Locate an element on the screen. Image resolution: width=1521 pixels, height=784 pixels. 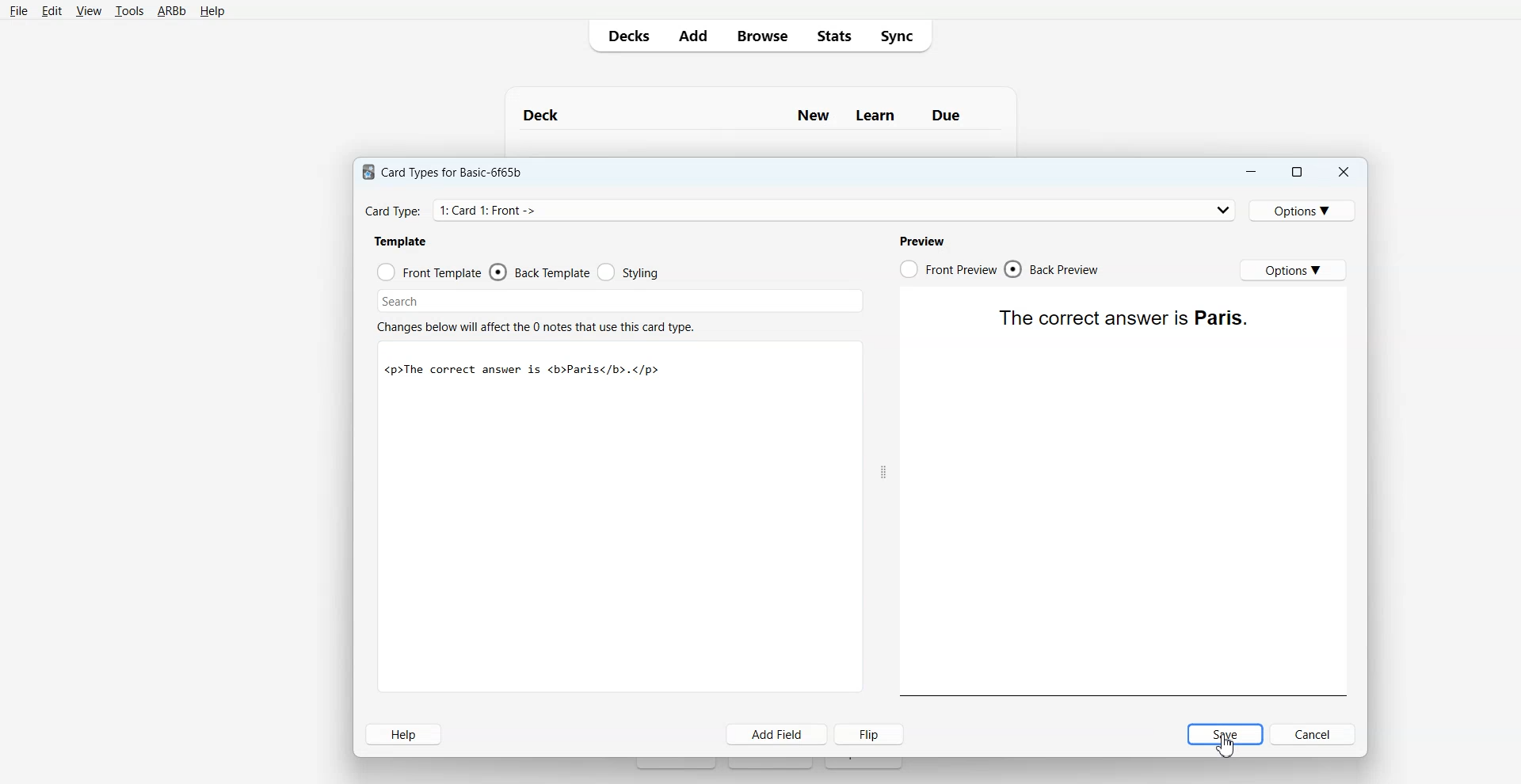
Add is located at coordinates (692, 36).